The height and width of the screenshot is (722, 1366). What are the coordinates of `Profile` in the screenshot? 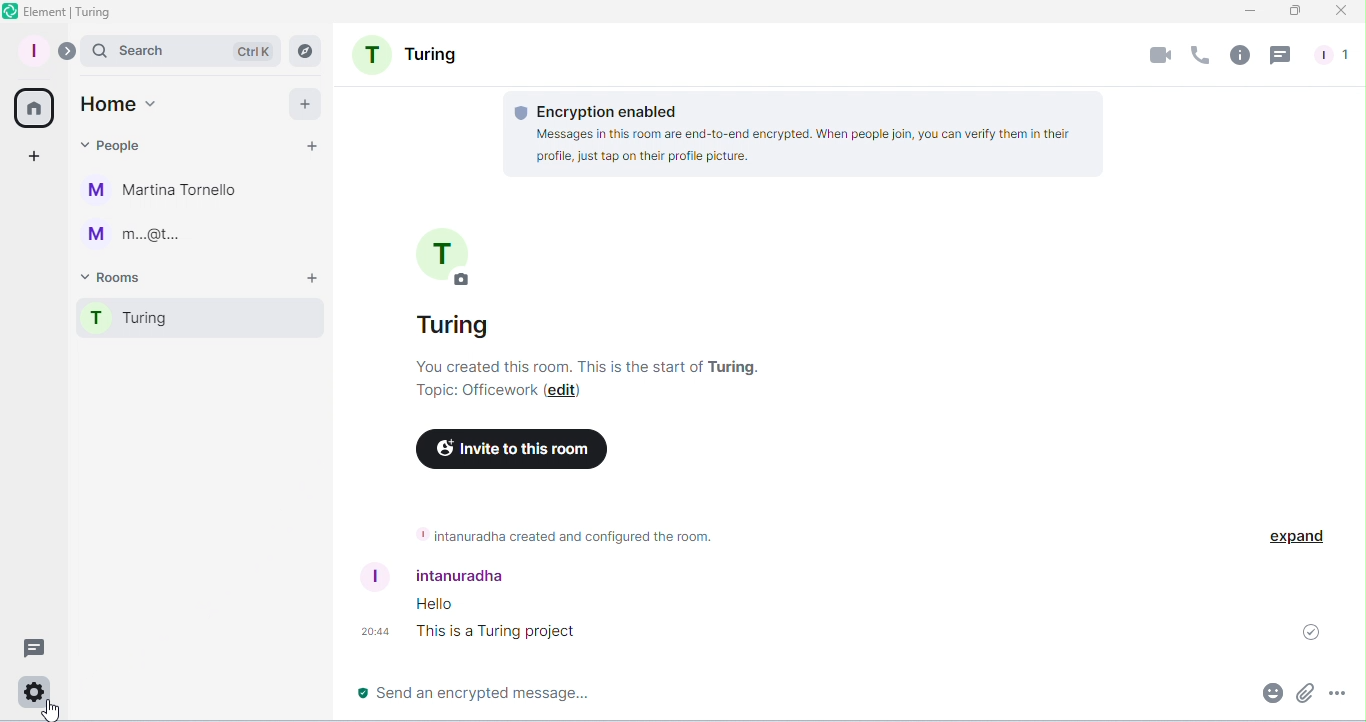 It's located at (34, 49).